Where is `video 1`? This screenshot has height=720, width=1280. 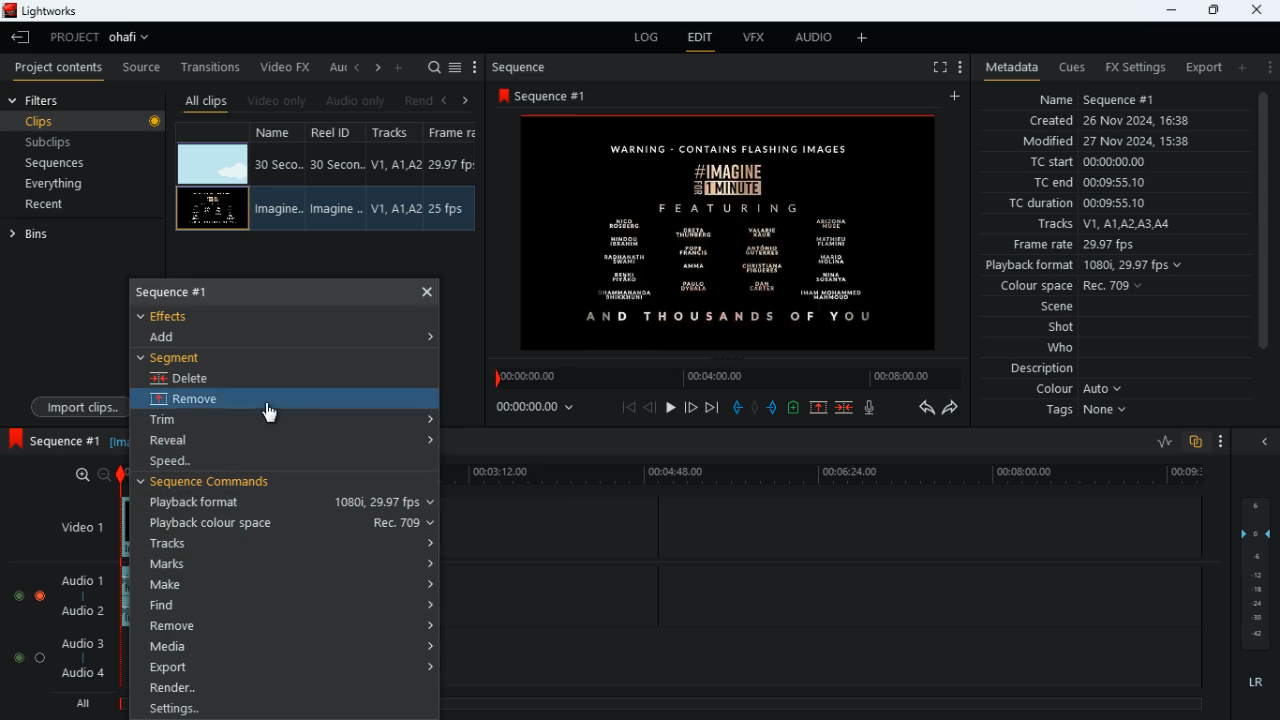 video 1 is located at coordinates (78, 527).